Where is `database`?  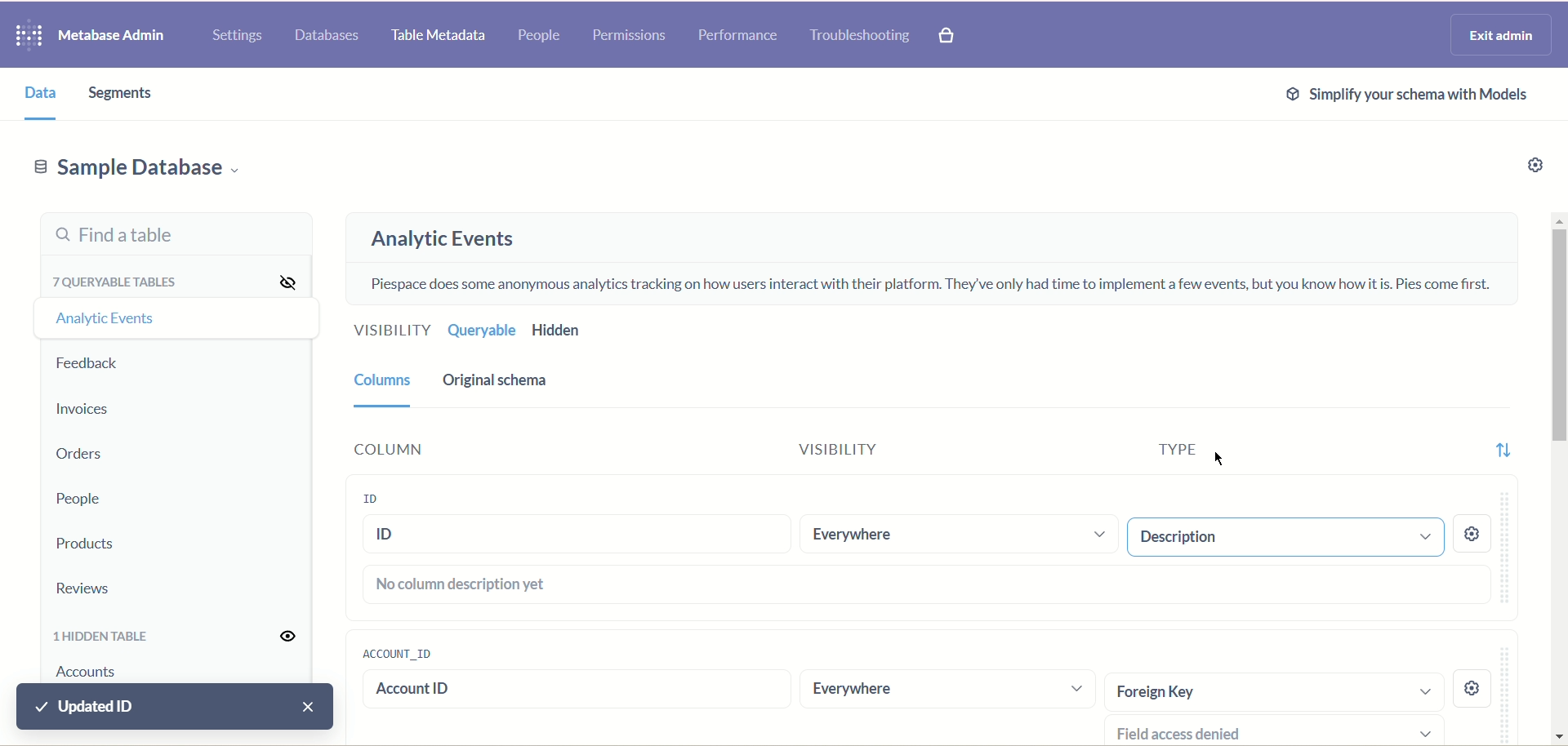
database is located at coordinates (330, 36).